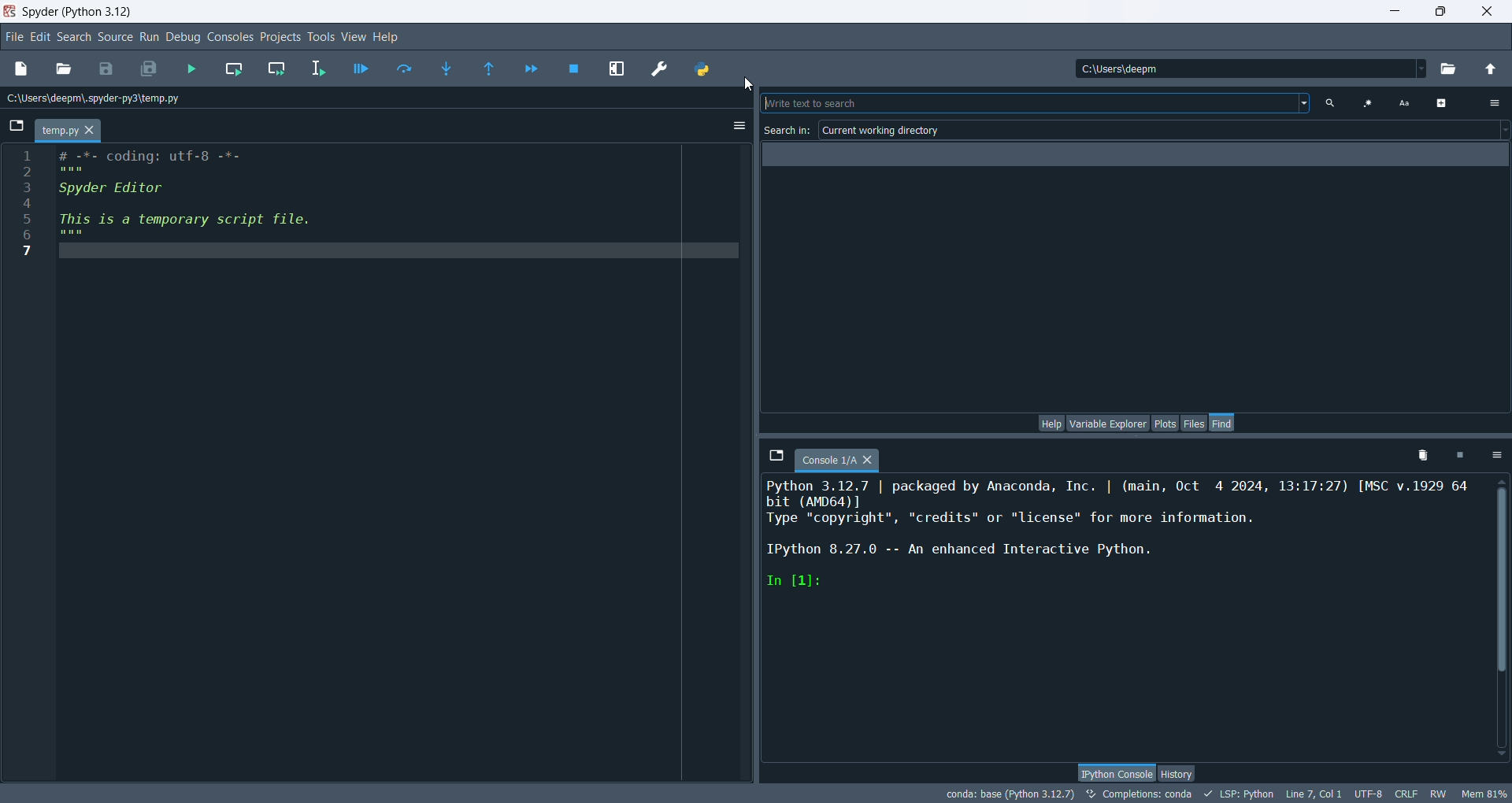 The image size is (1512, 803). What do you see at coordinates (104, 69) in the screenshot?
I see `save` at bounding box center [104, 69].